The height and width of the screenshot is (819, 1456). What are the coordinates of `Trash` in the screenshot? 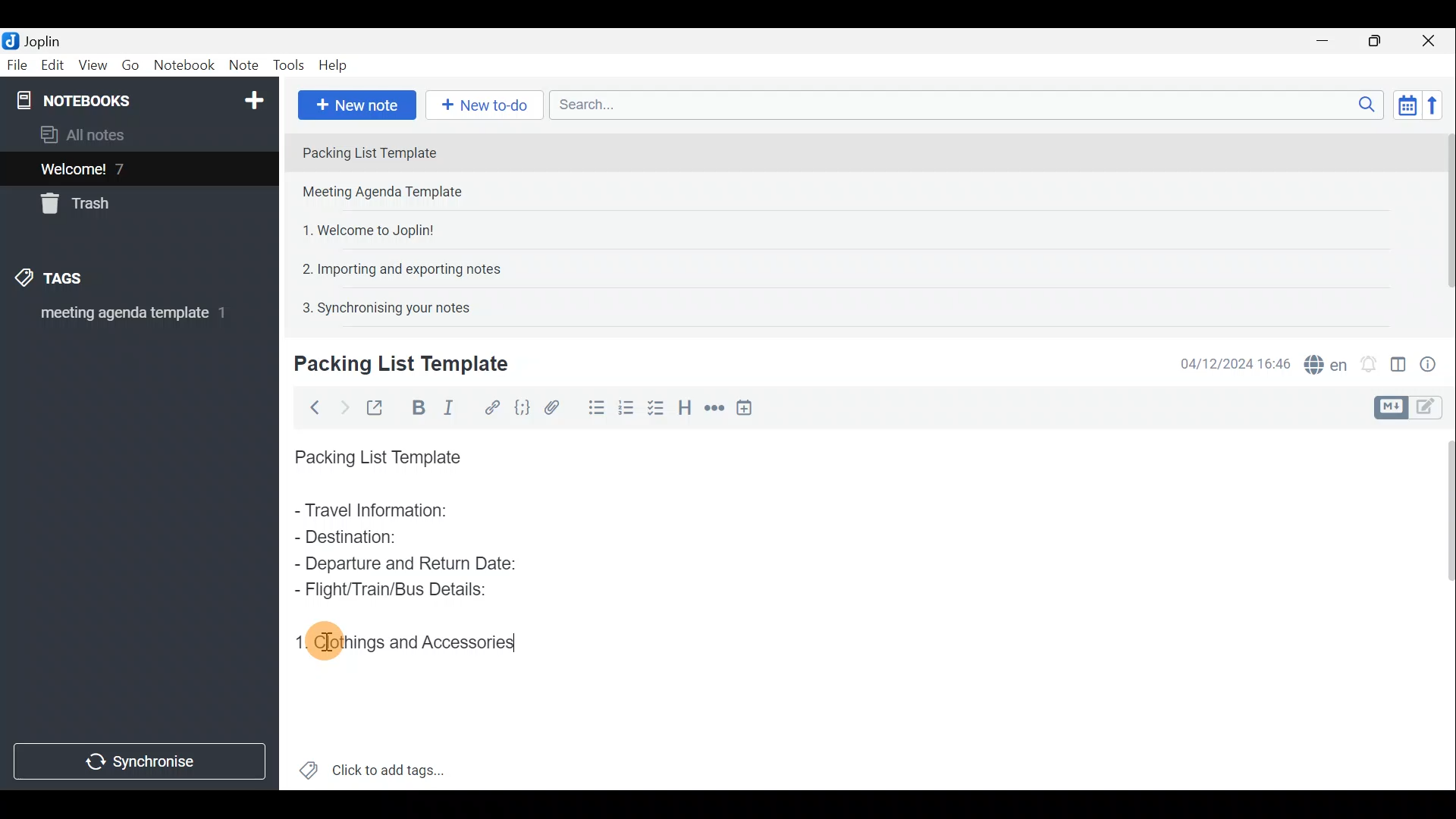 It's located at (81, 206).